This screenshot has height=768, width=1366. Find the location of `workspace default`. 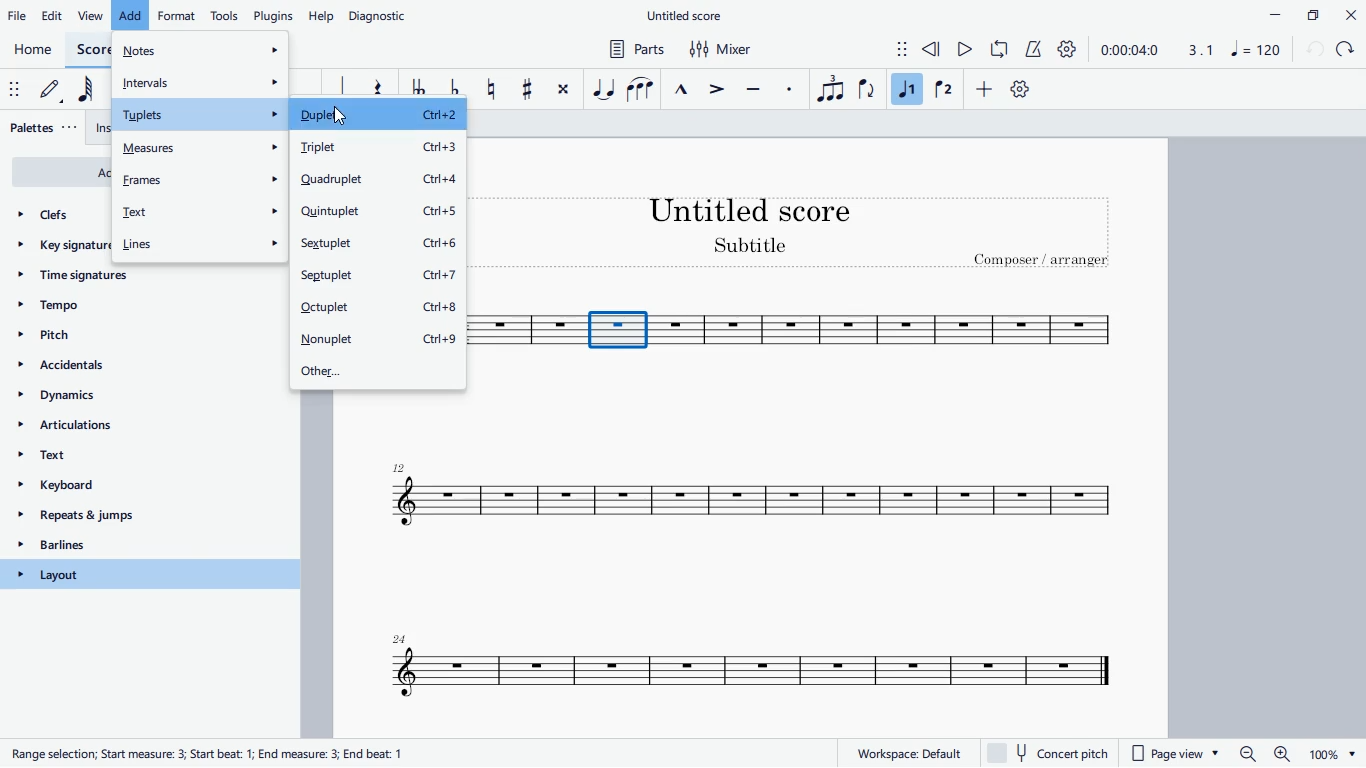

workspace default is located at coordinates (908, 752).